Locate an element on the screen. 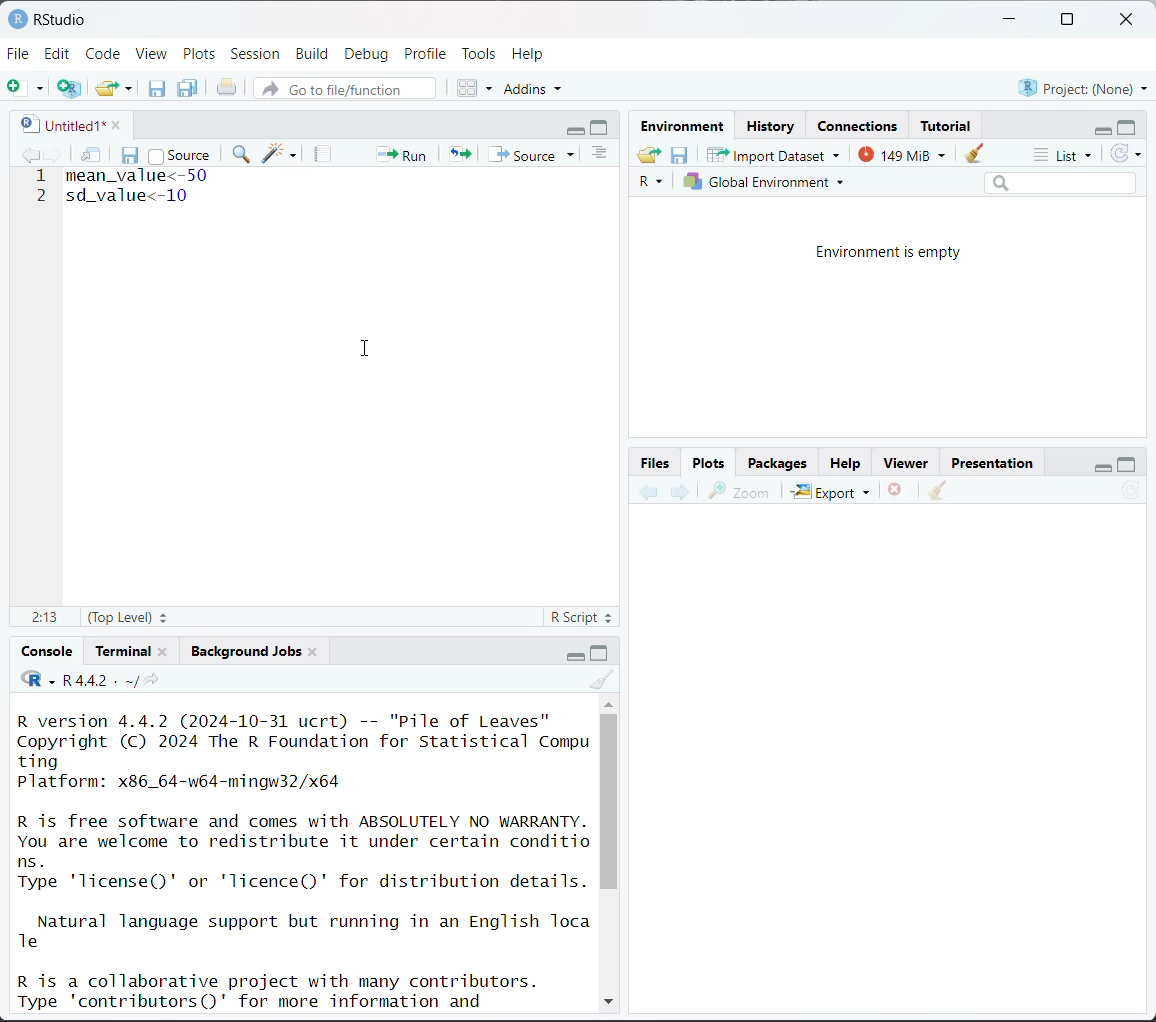 The width and height of the screenshot is (1156, 1022). Environment is located at coordinates (686, 127).